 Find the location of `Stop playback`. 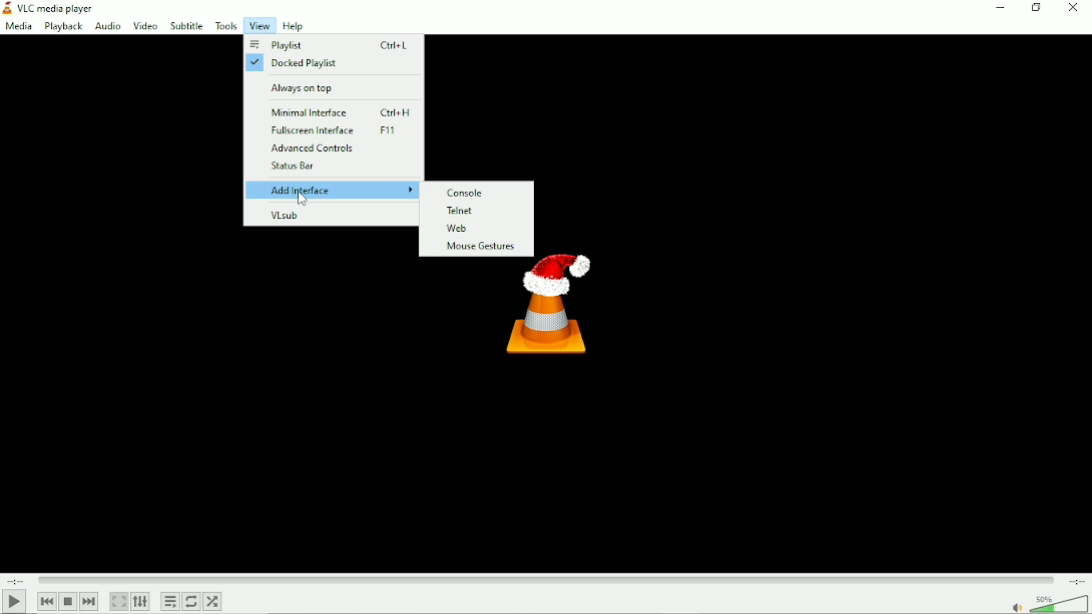

Stop playback is located at coordinates (69, 602).